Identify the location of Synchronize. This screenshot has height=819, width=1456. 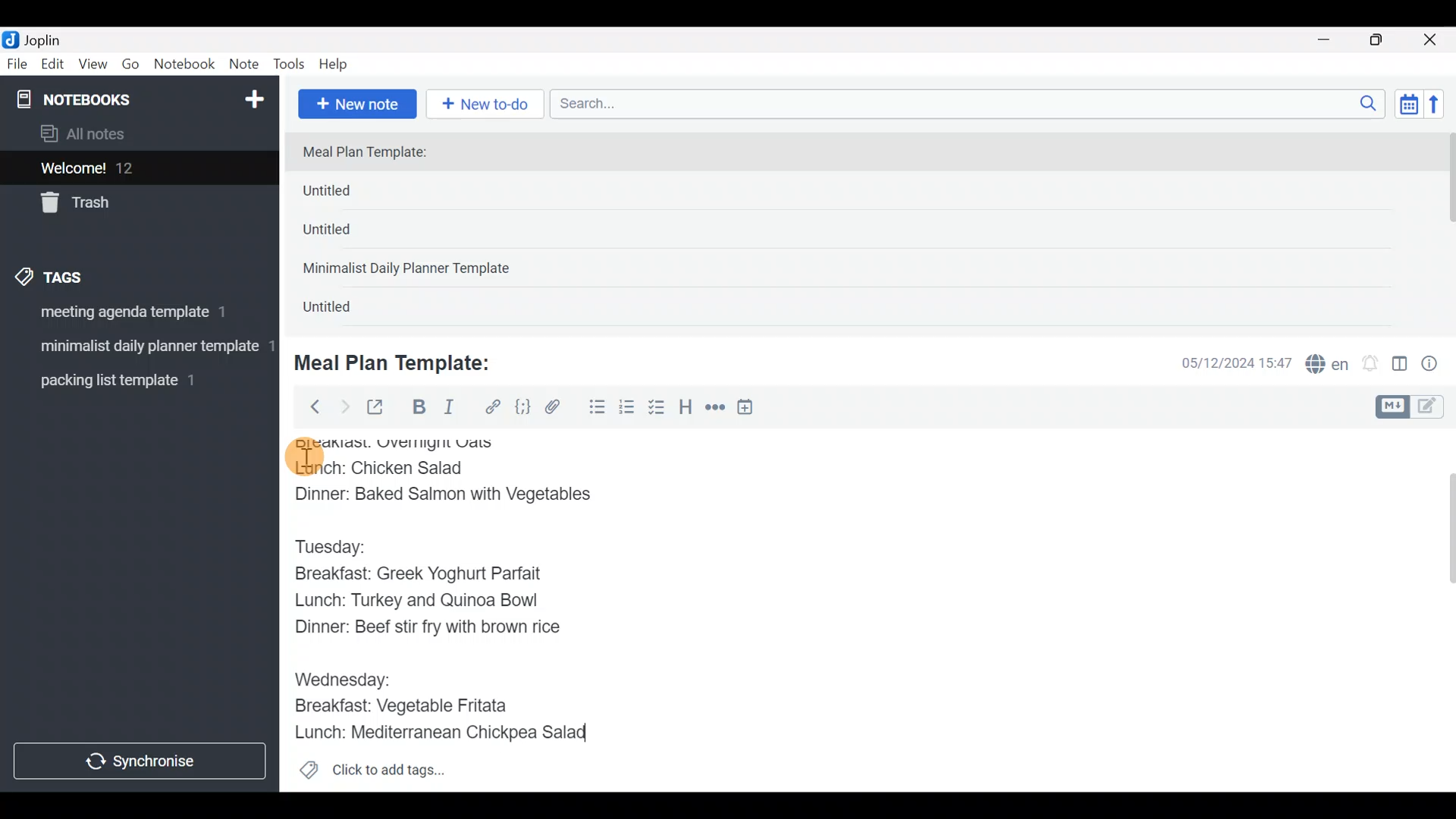
(142, 761).